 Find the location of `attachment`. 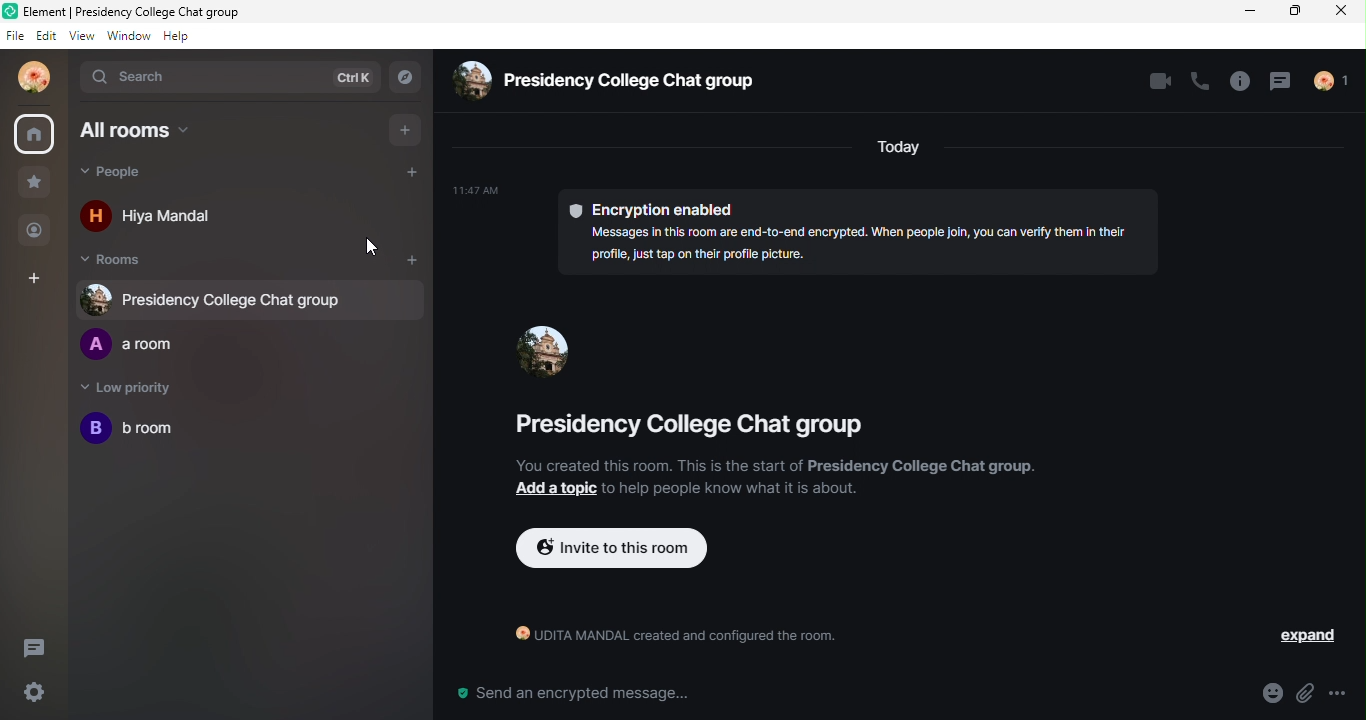

attachment is located at coordinates (1309, 694).